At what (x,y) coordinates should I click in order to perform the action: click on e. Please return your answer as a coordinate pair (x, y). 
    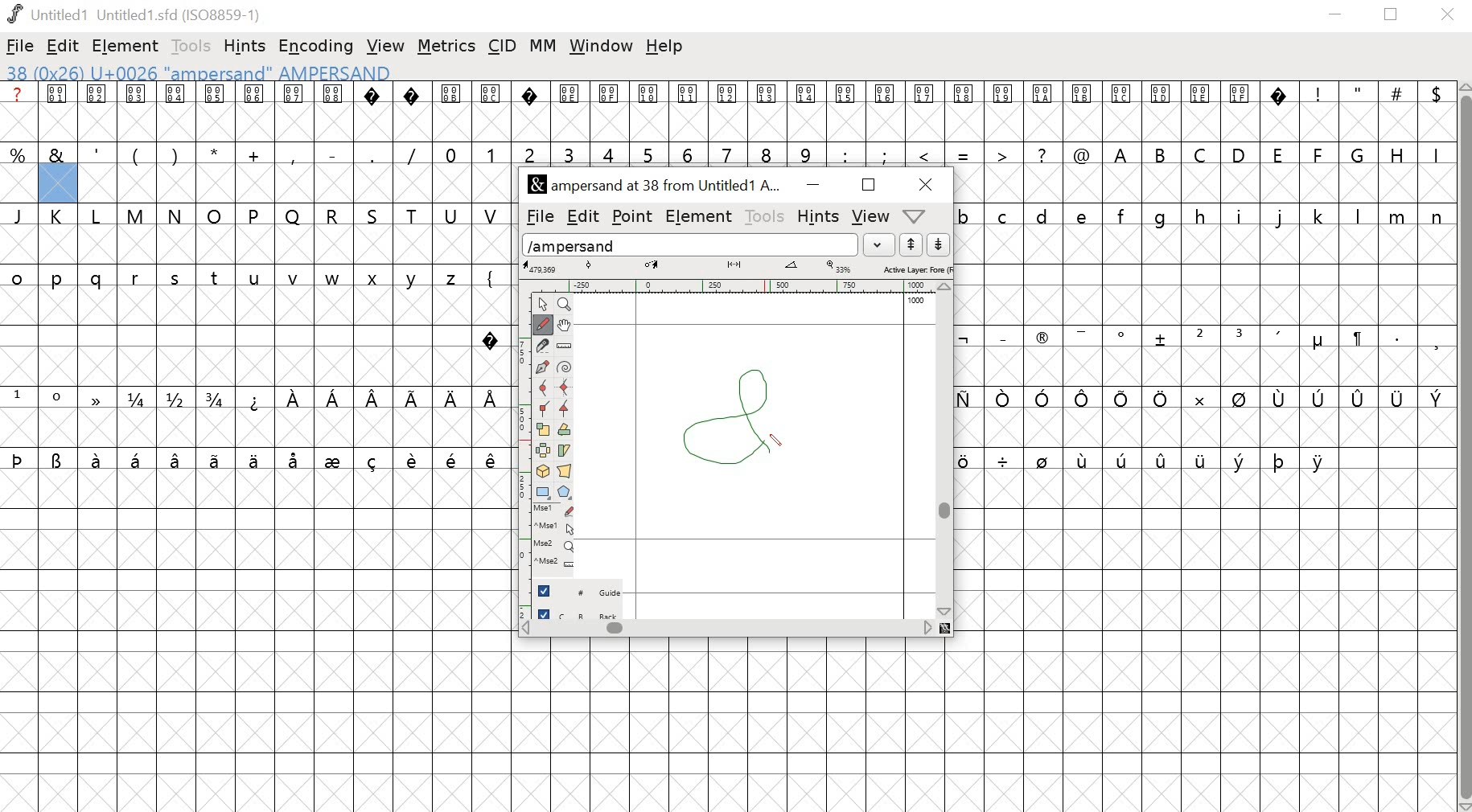
    Looking at the image, I should click on (1084, 215).